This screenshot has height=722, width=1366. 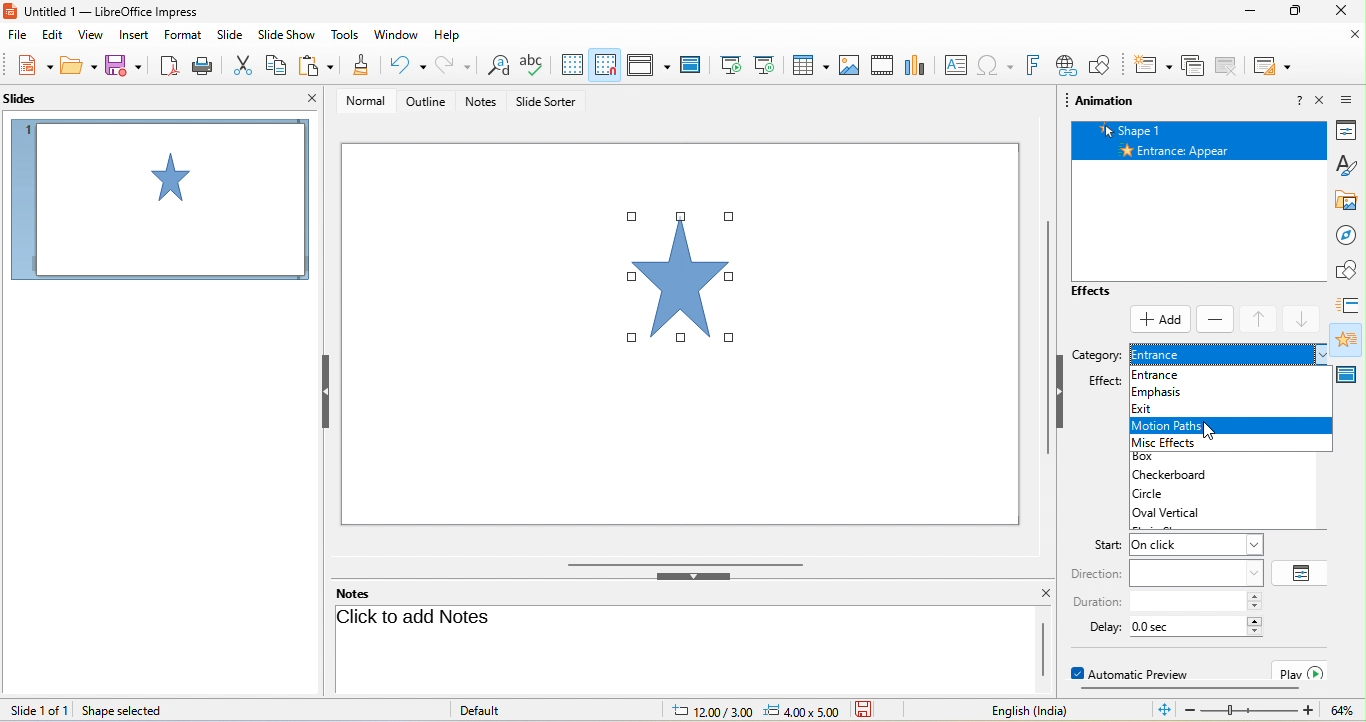 What do you see at coordinates (728, 65) in the screenshot?
I see `start from first slide` at bounding box center [728, 65].